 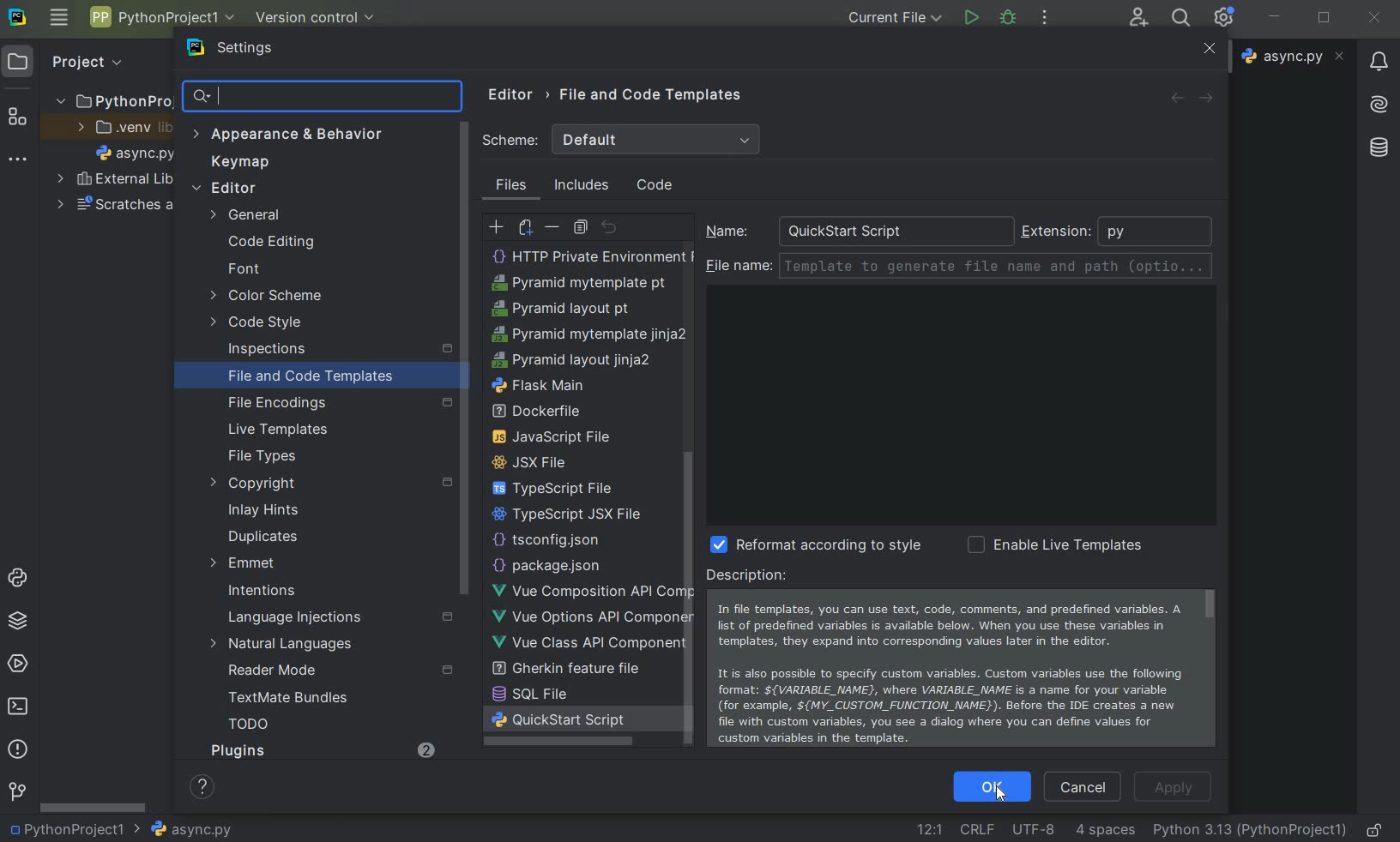 I want to click on scrollbar, so click(x=688, y=396).